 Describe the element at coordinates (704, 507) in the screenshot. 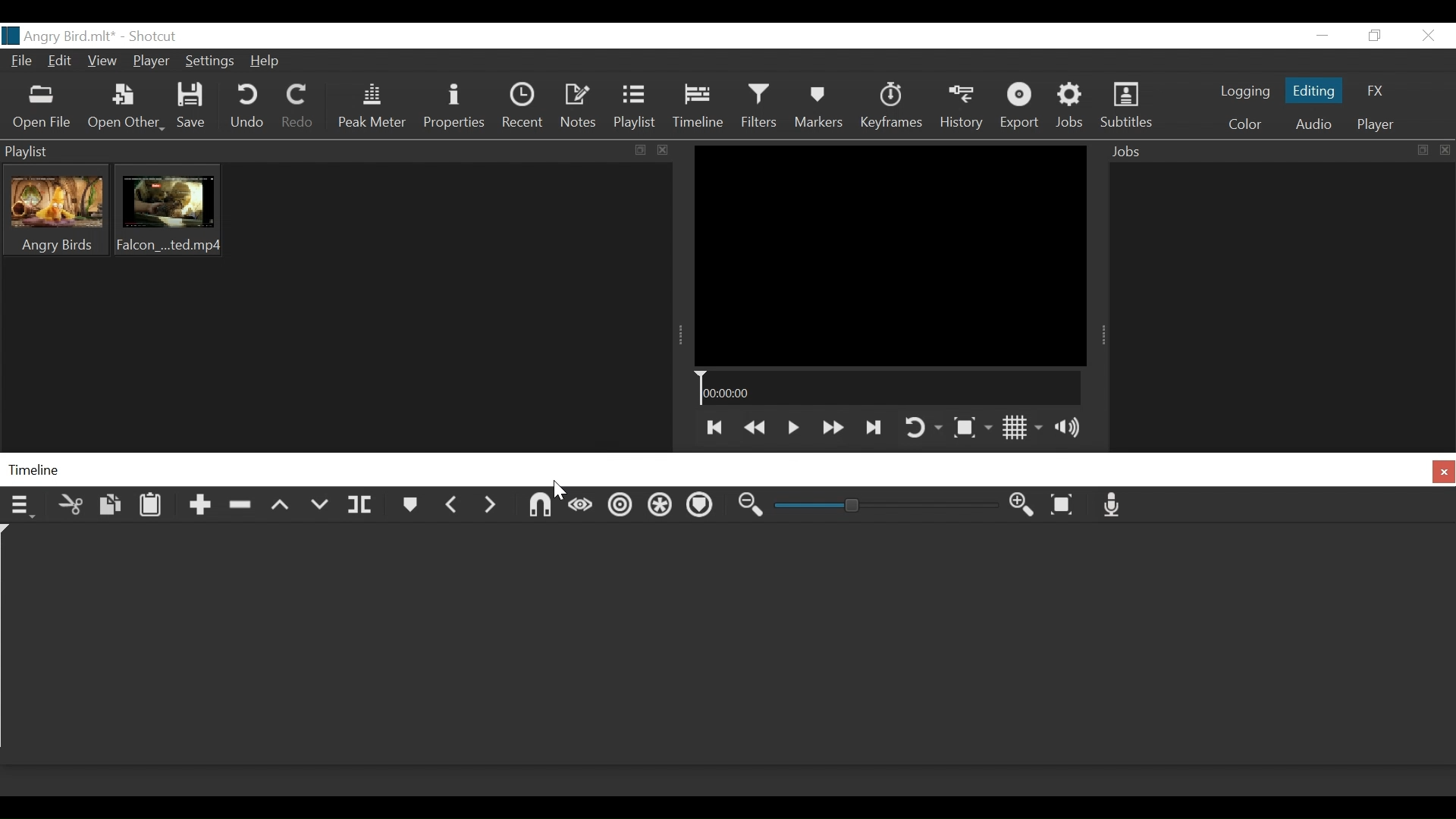

I see `Ripple markers` at that location.